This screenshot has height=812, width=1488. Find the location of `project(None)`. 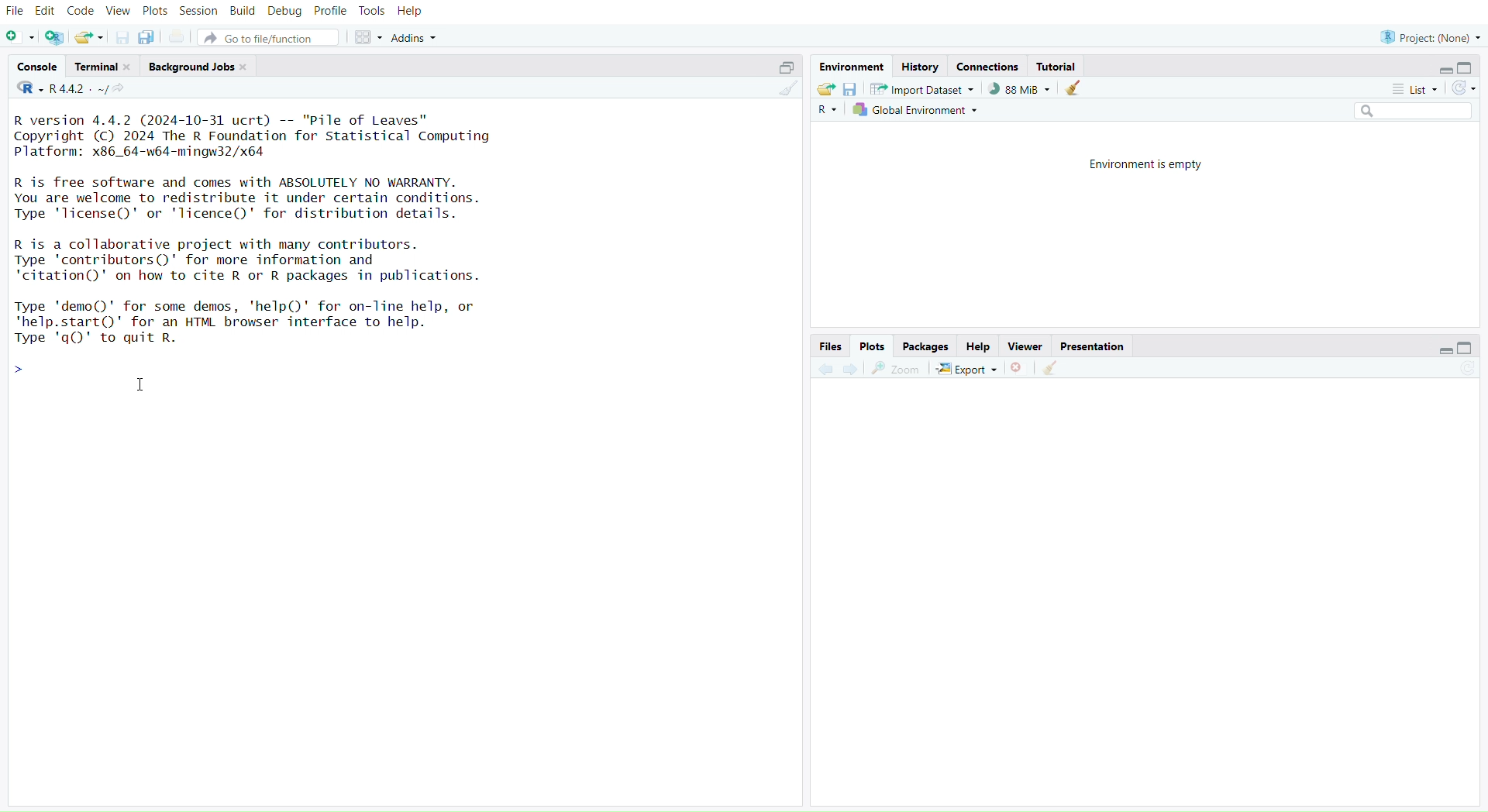

project(None) is located at coordinates (1430, 36).